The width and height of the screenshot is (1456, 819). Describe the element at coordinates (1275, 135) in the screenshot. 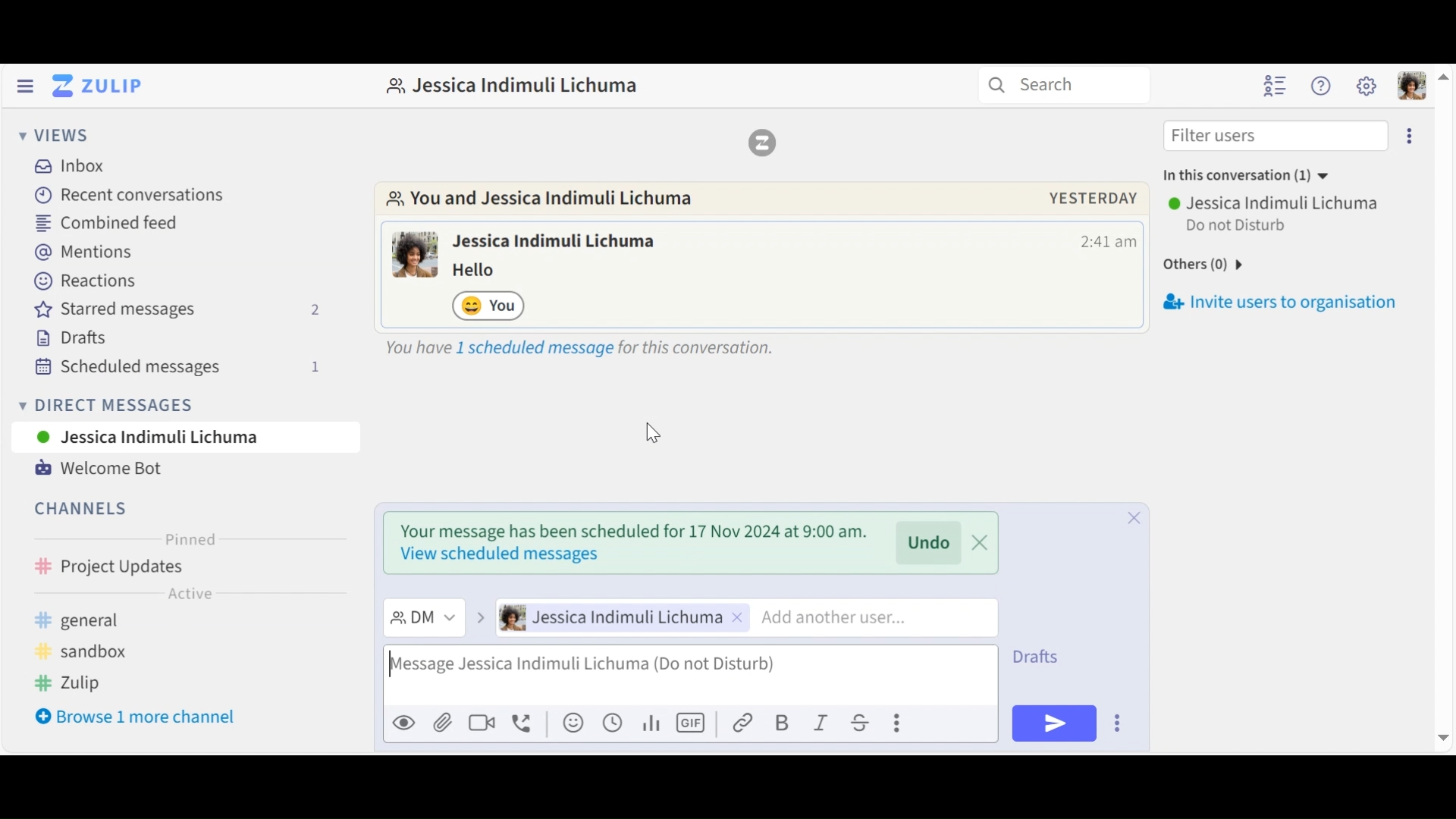

I see `Filter users` at that location.